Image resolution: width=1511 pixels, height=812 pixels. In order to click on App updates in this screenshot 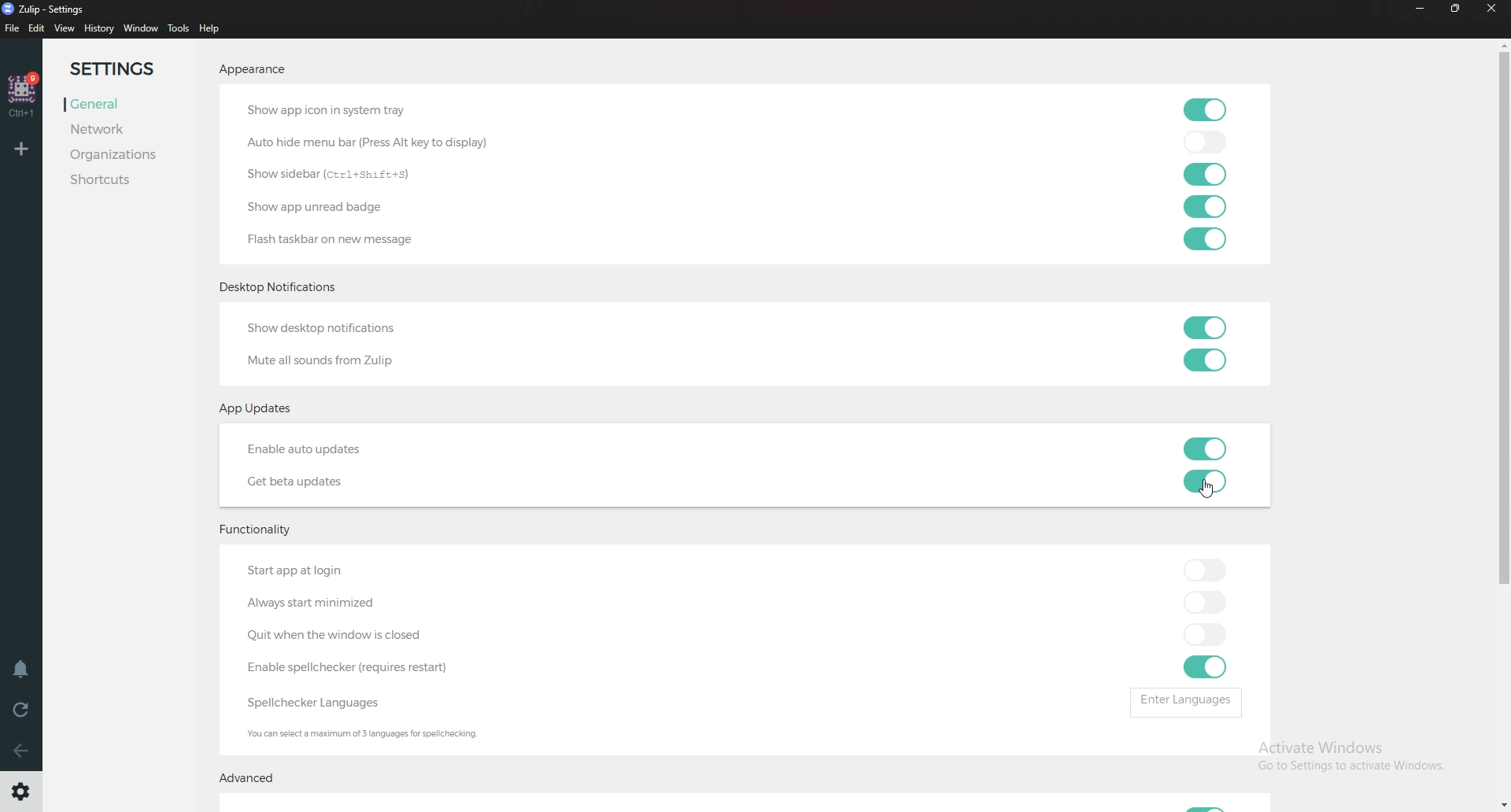, I will do `click(261, 408)`.